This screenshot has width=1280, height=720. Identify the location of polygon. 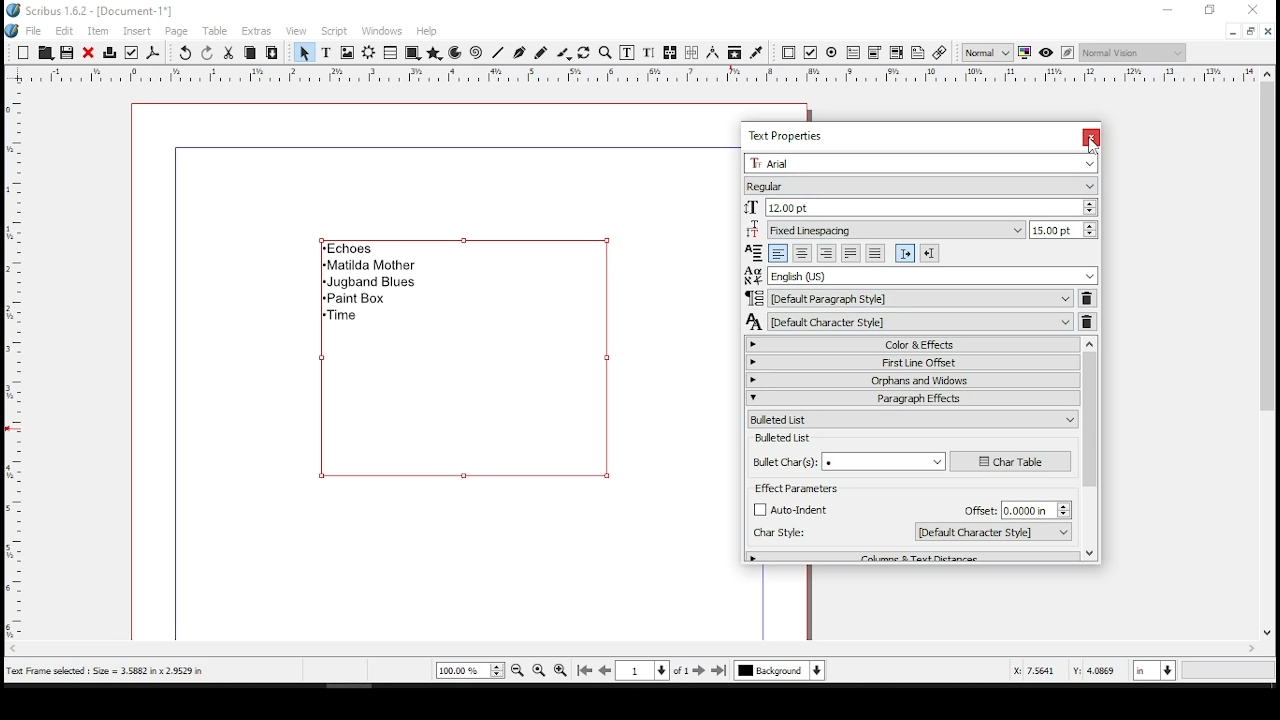
(435, 54).